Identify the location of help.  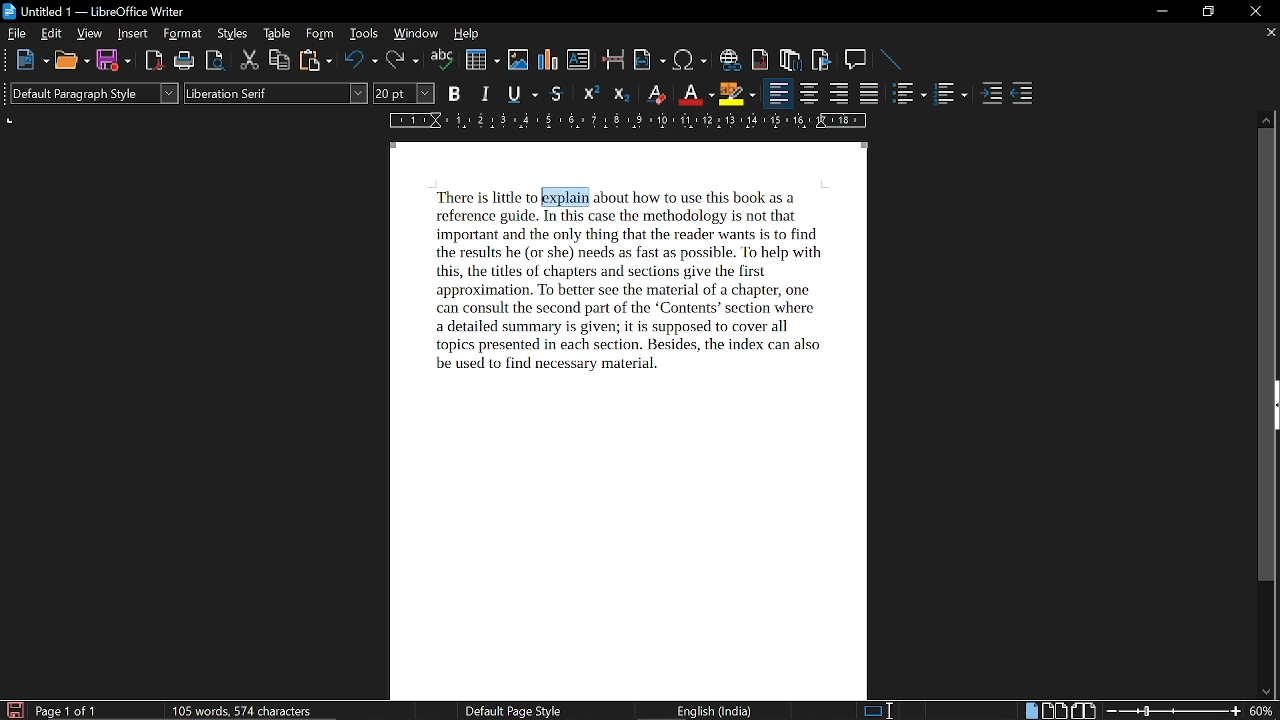
(464, 34).